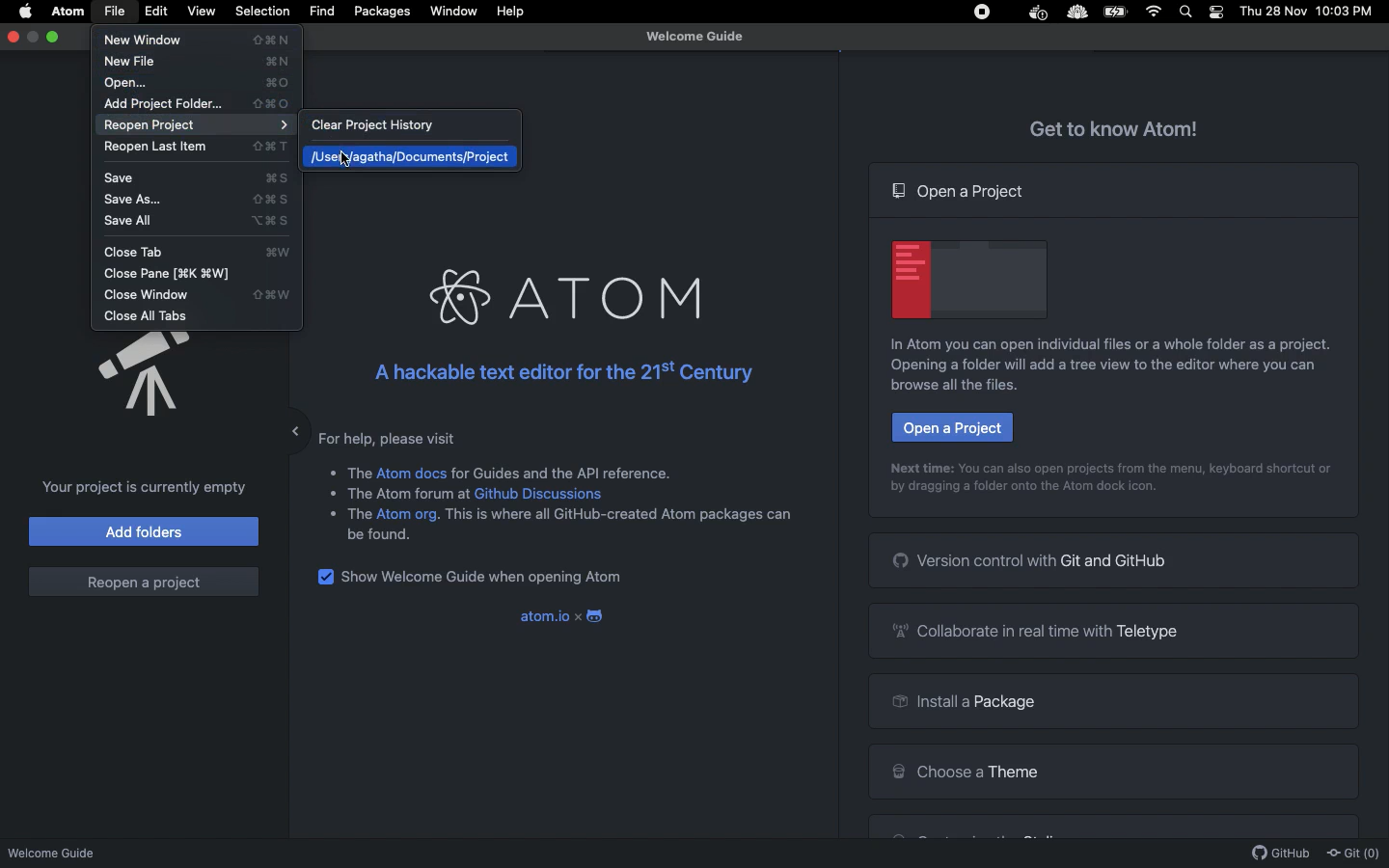 This screenshot has width=1389, height=868. I want to click on Clear project history, so click(393, 127).